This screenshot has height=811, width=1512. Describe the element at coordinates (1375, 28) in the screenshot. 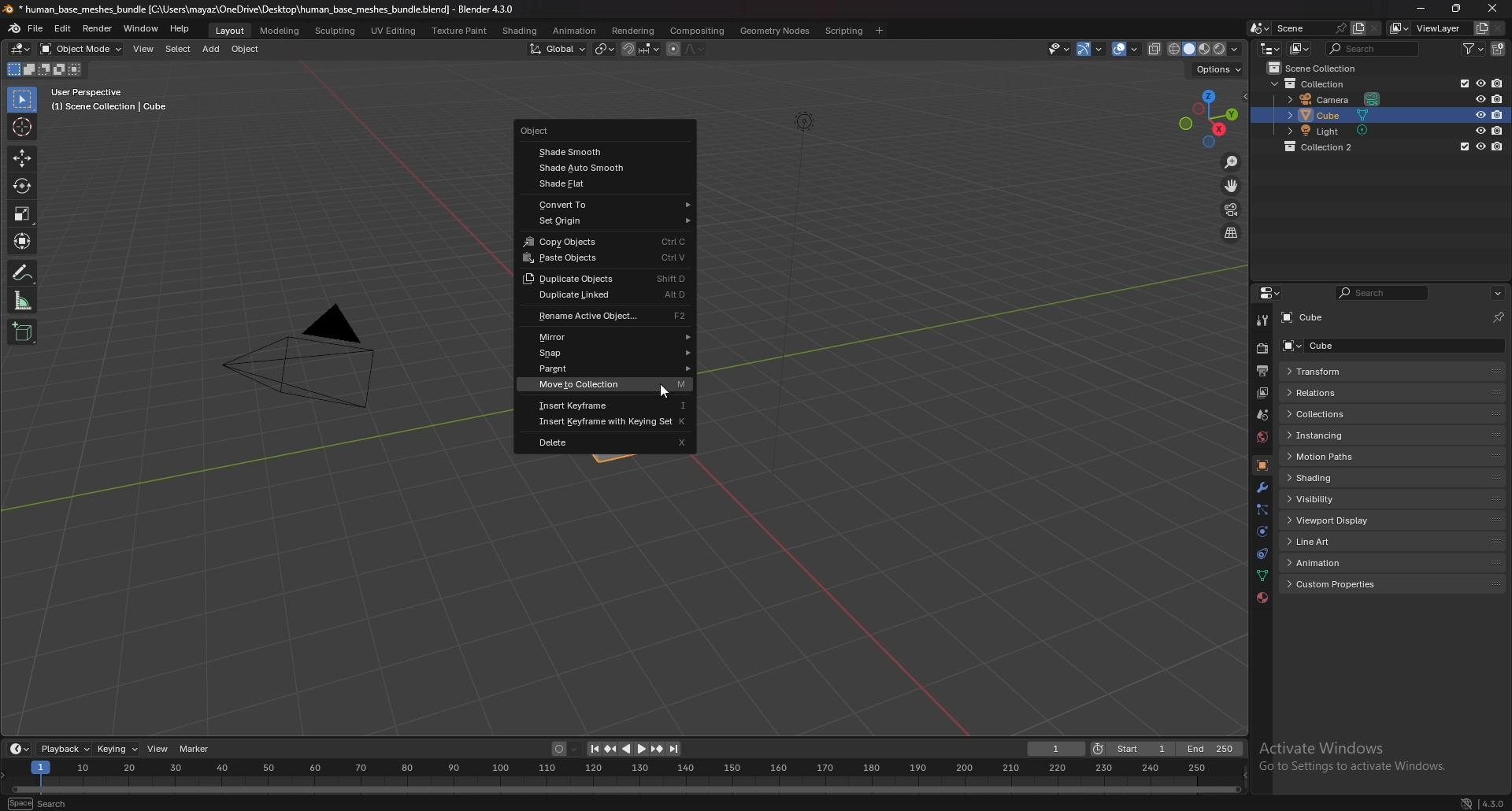

I see `delete scene` at that location.